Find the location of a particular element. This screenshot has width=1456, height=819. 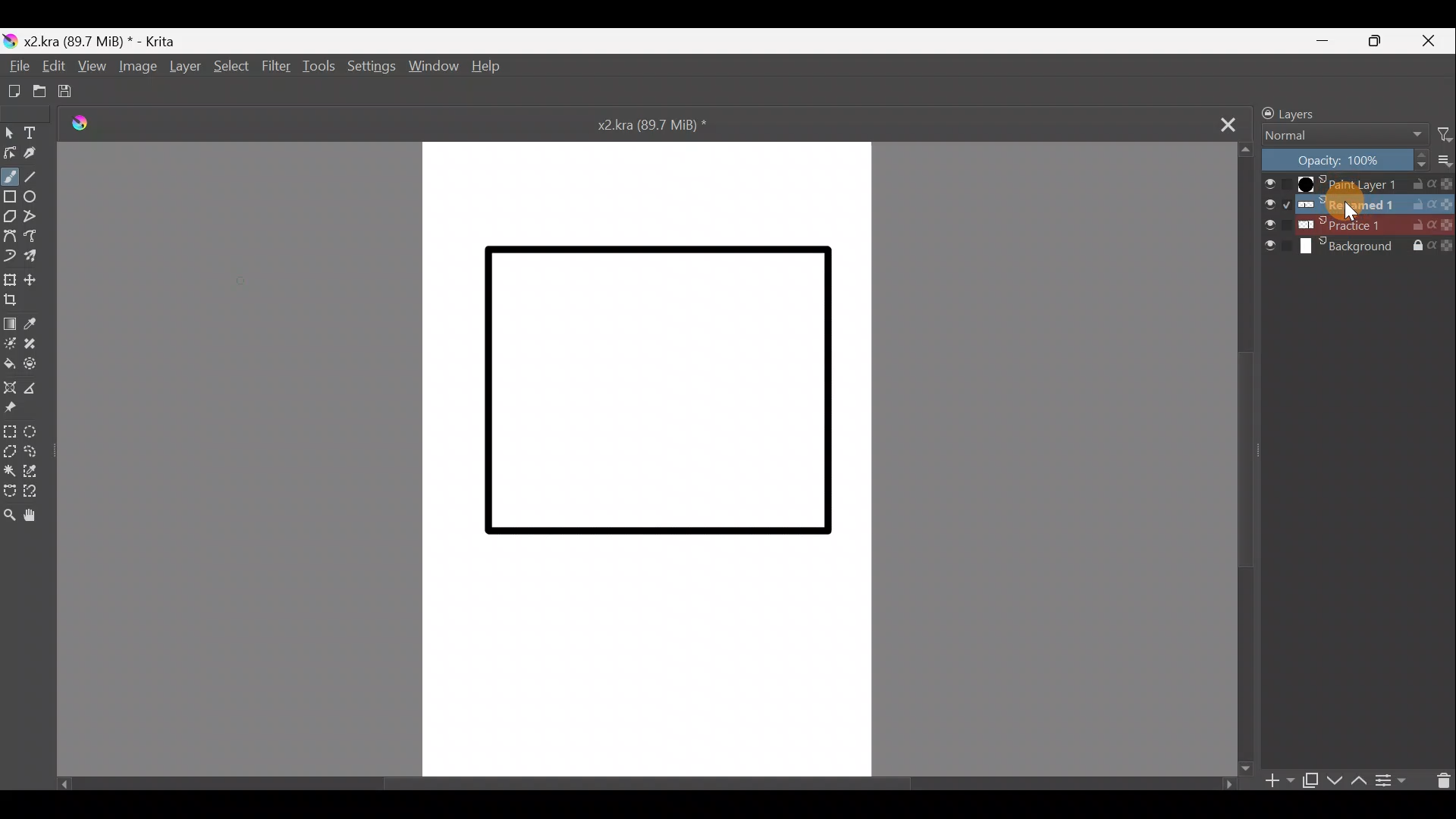

Scroll bar is located at coordinates (1239, 462).